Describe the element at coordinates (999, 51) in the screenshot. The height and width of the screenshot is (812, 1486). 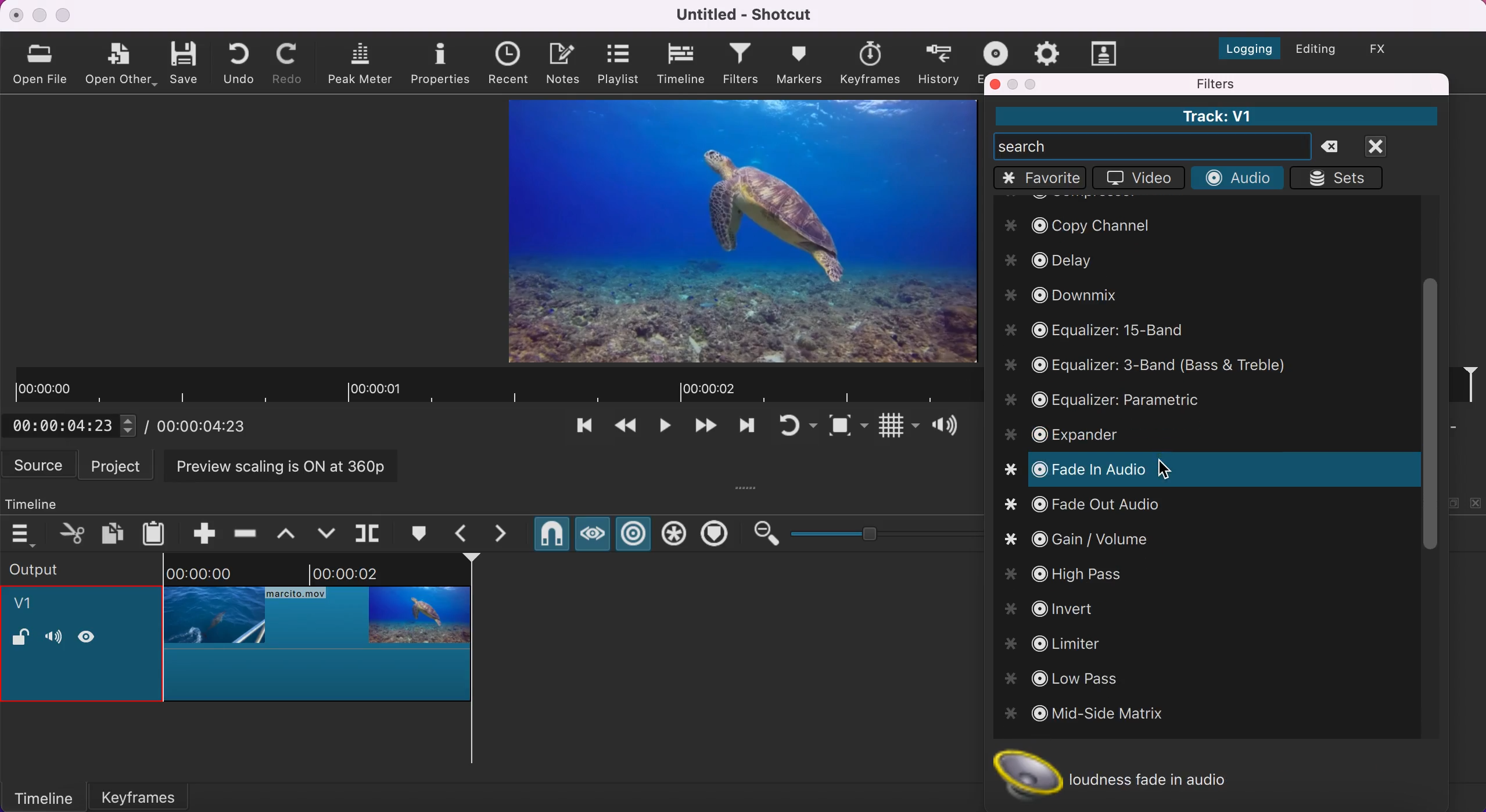
I see `exort` at that location.